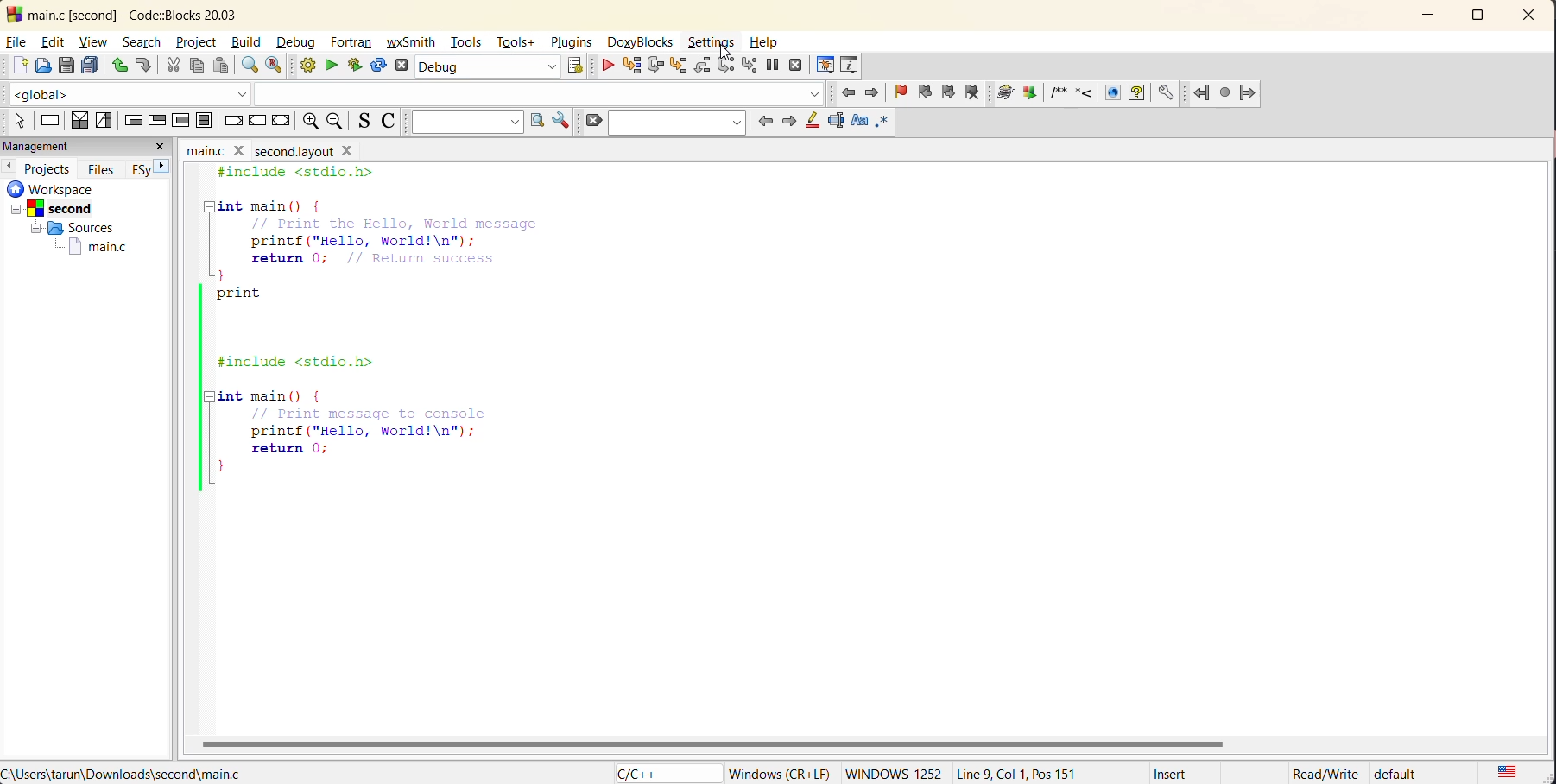 This screenshot has width=1556, height=784. I want to click on horizontal scroll bar, so click(717, 742).